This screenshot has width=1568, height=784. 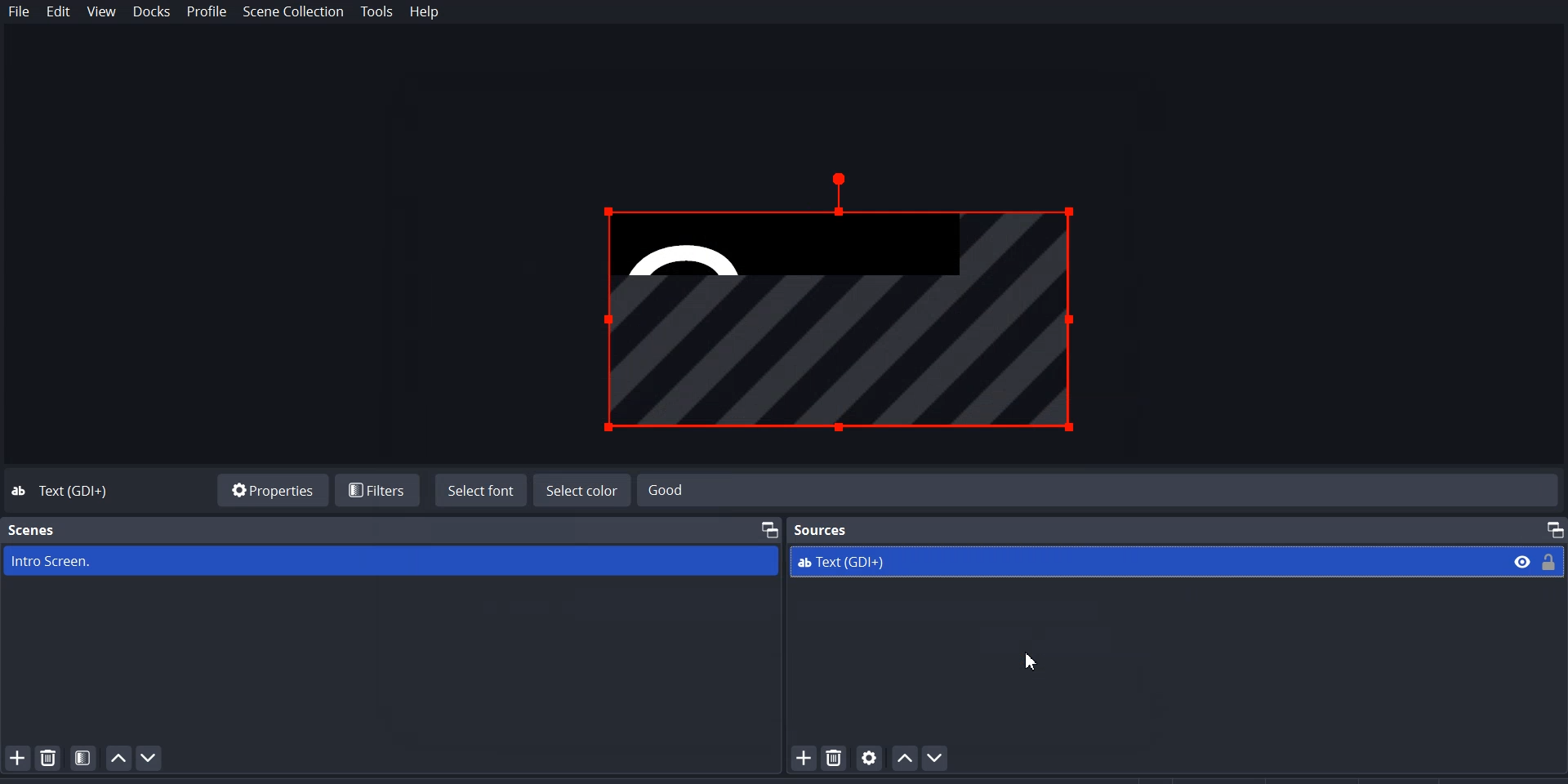 I want to click on Cursor, so click(x=1036, y=663).